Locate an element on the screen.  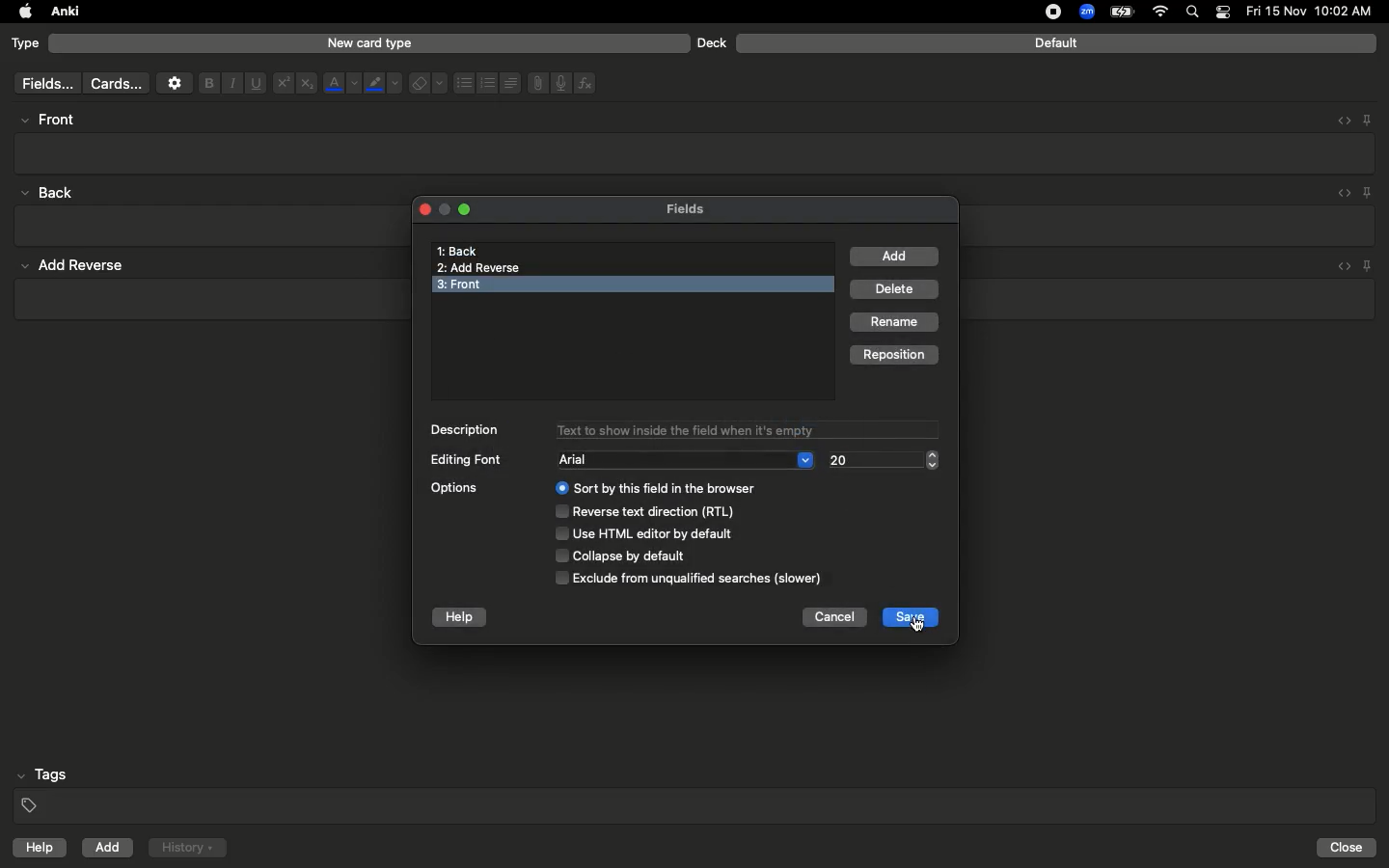
Maximize is located at coordinates (467, 212).